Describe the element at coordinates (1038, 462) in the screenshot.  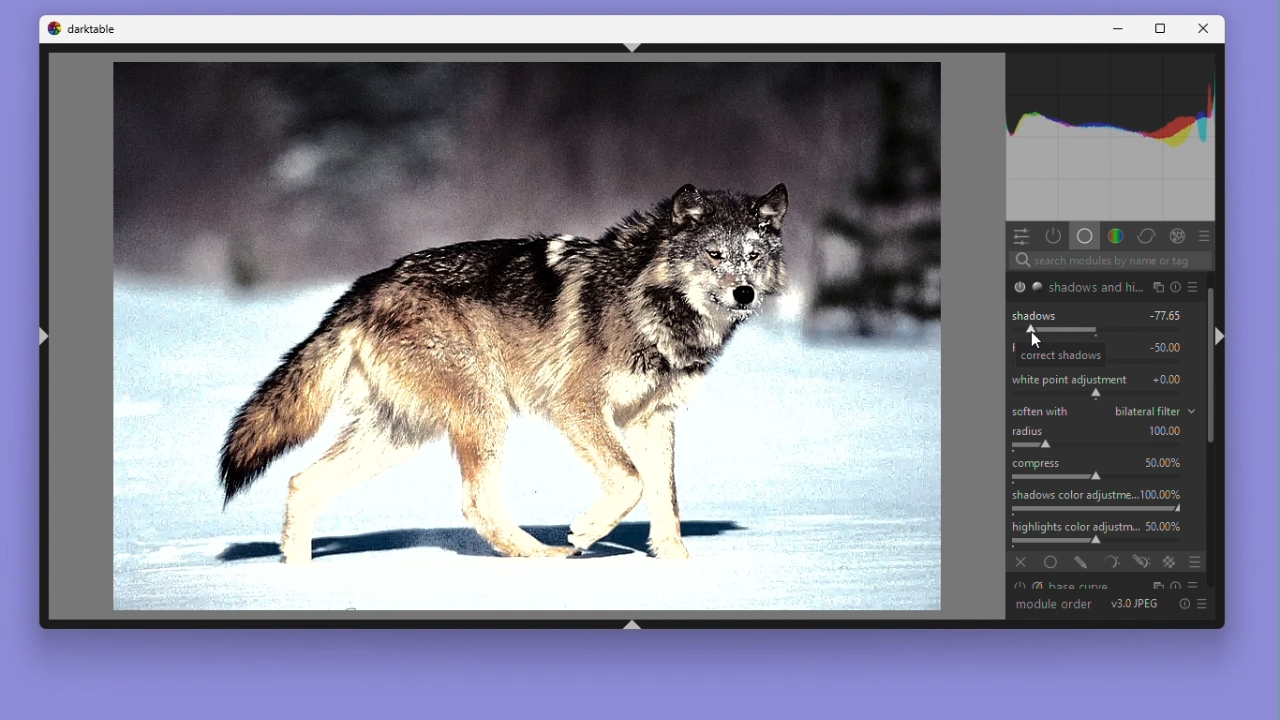
I see `Compress` at that location.